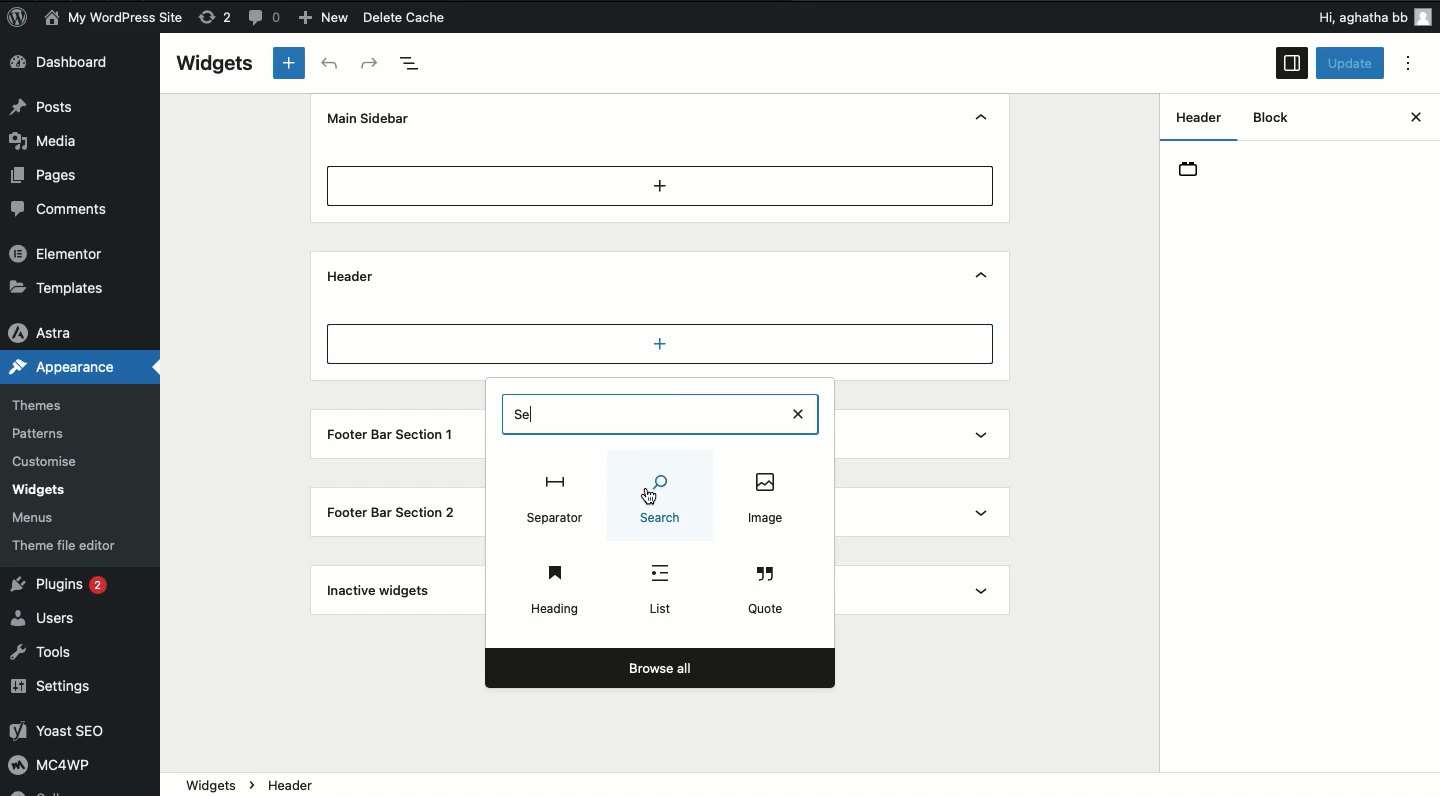 This screenshot has width=1440, height=796. What do you see at coordinates (665, 348) in the screenshot?
I see `add new block` at bounding box center [665, 348].